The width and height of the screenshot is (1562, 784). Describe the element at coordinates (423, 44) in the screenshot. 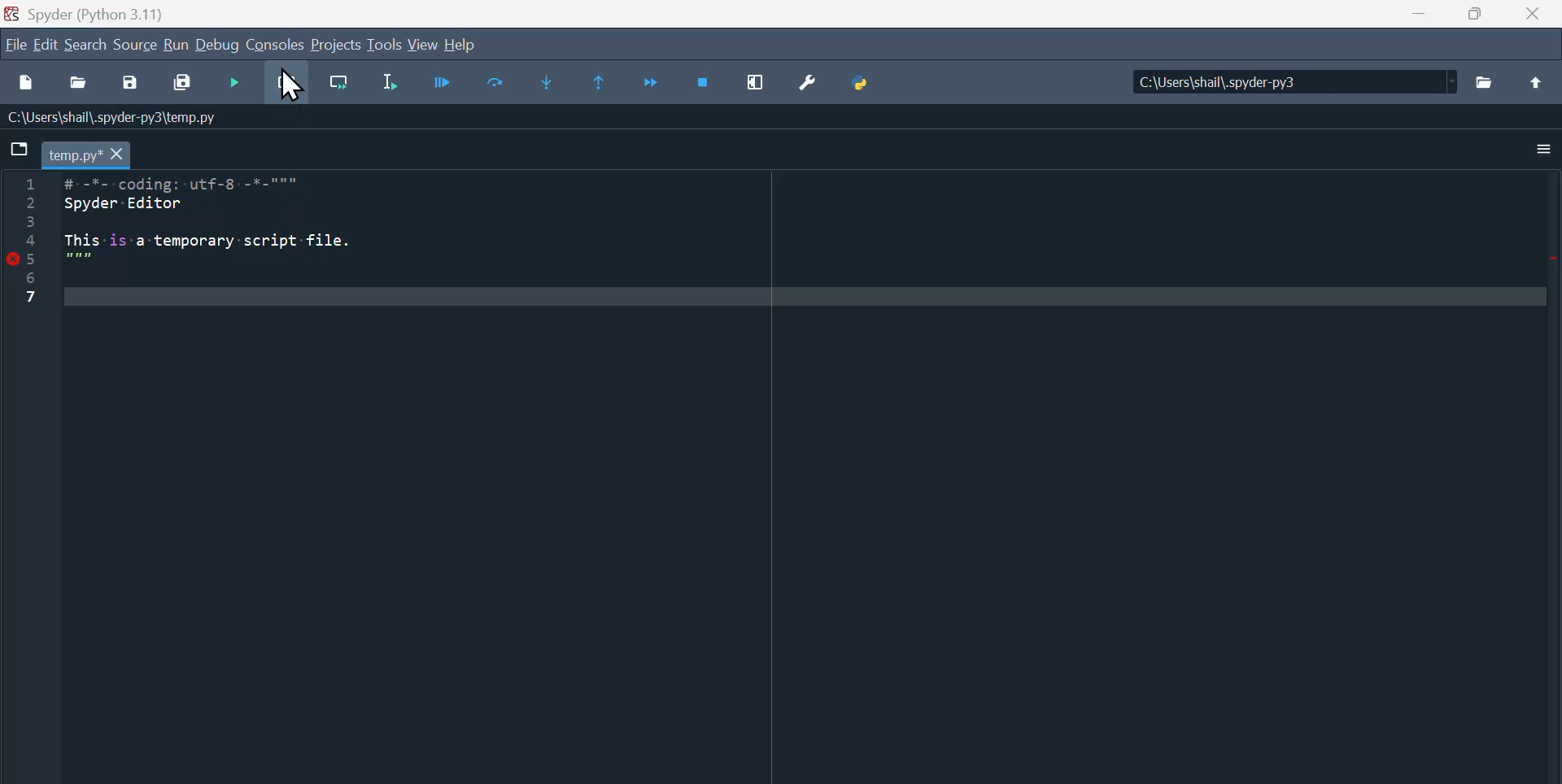

I see `view` at that location.